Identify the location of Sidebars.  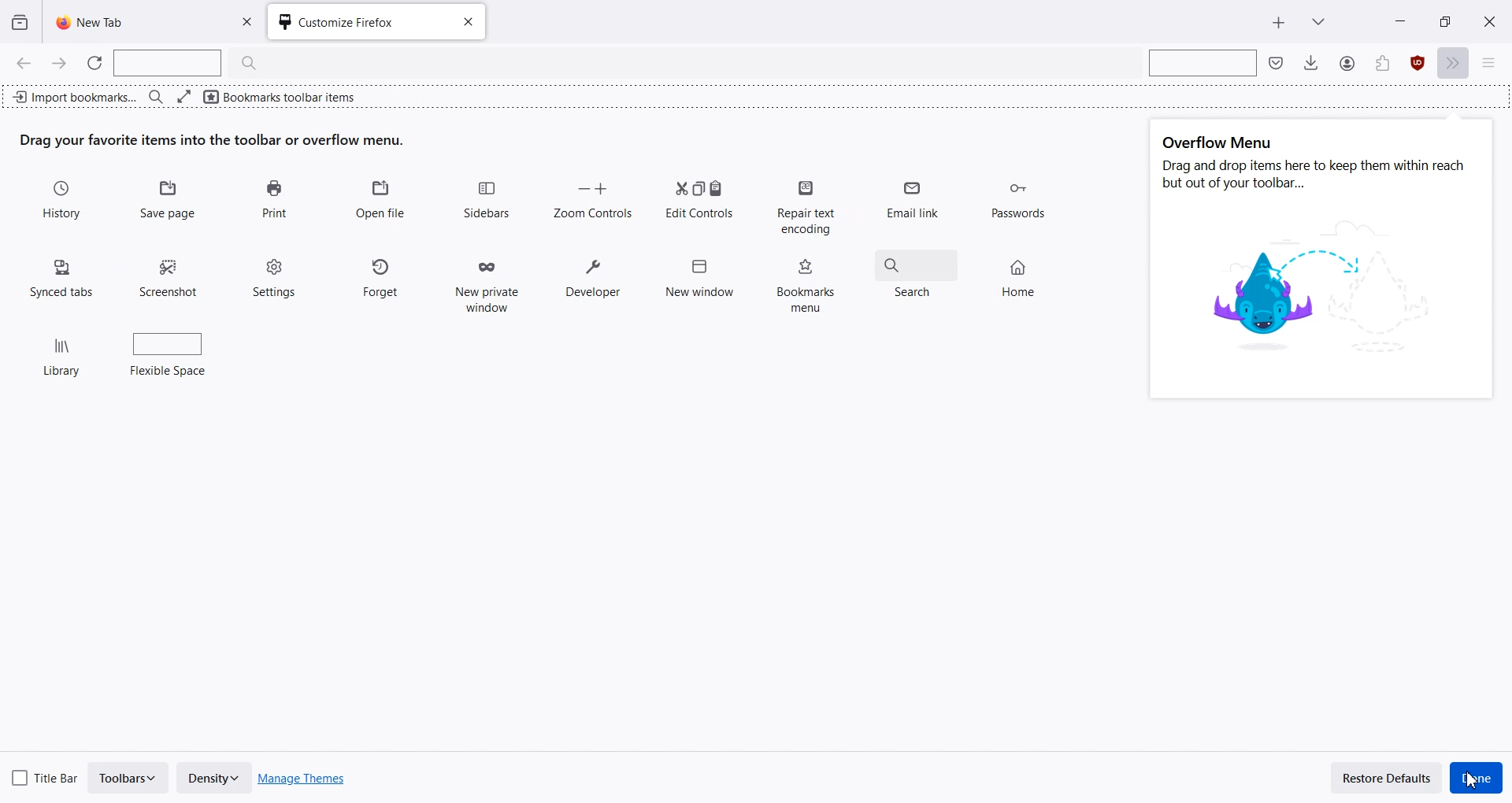
(488, 200).